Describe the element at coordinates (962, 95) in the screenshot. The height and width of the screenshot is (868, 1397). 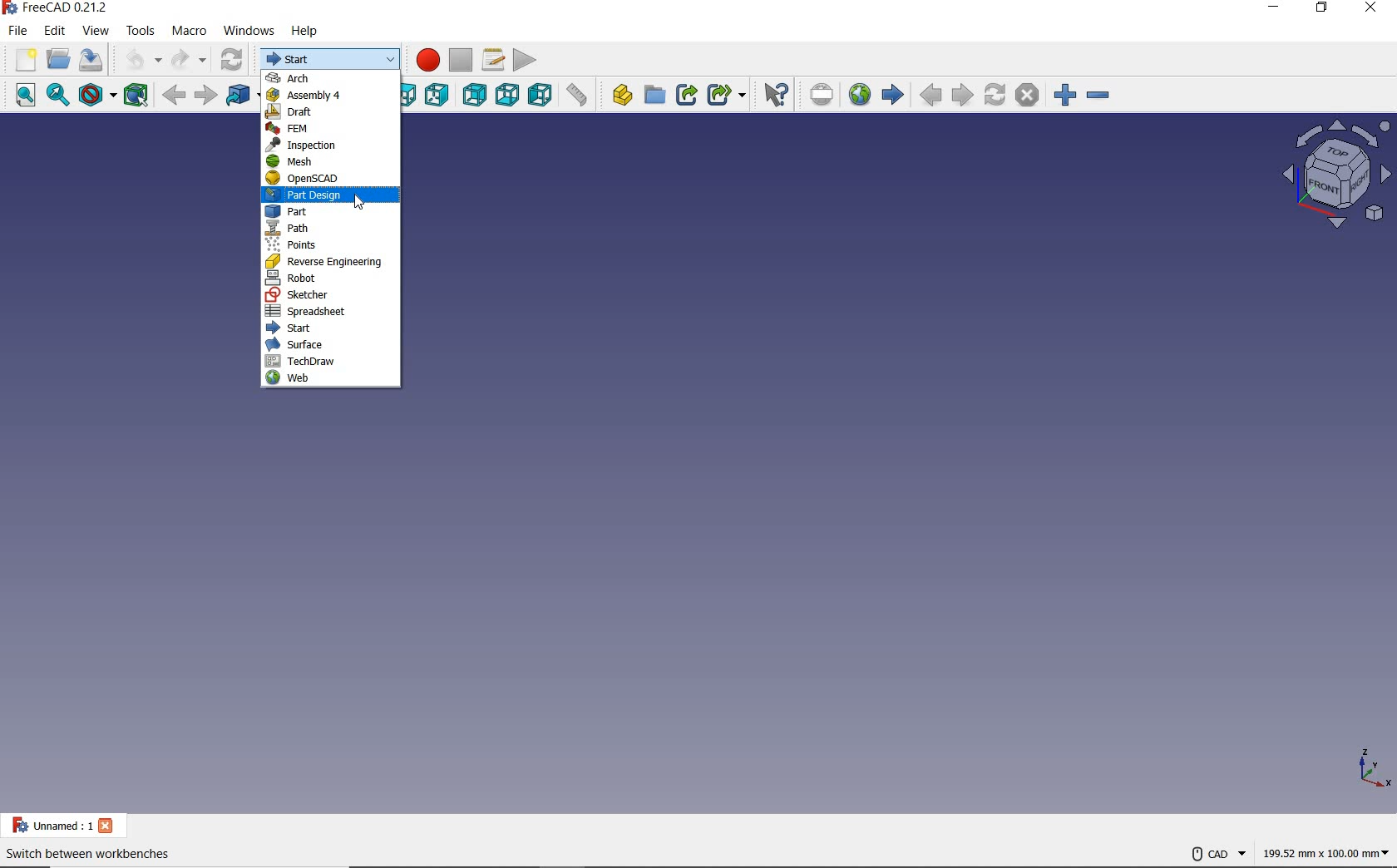
I see `NEXT PAGE` at that location.